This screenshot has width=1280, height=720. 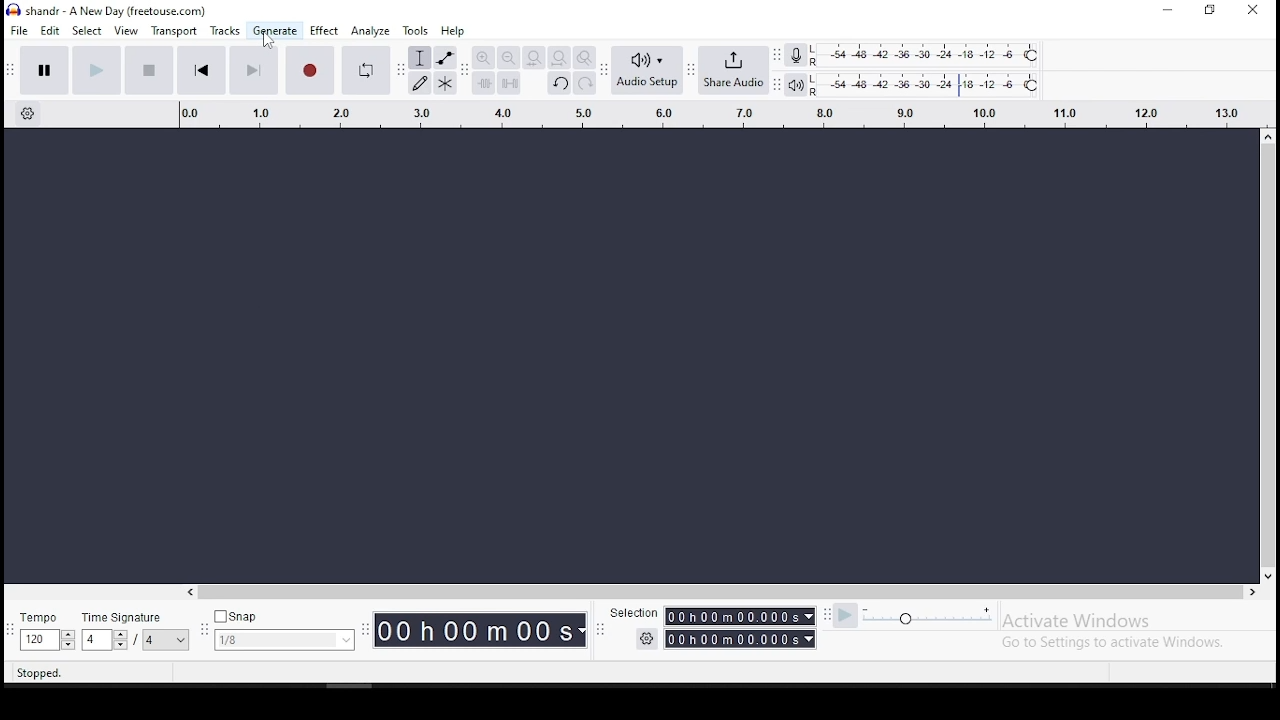 What do you see at coordinates (586, 58) in the screenshot?
I see `zoom toggle` at bounding box center [586, 58].